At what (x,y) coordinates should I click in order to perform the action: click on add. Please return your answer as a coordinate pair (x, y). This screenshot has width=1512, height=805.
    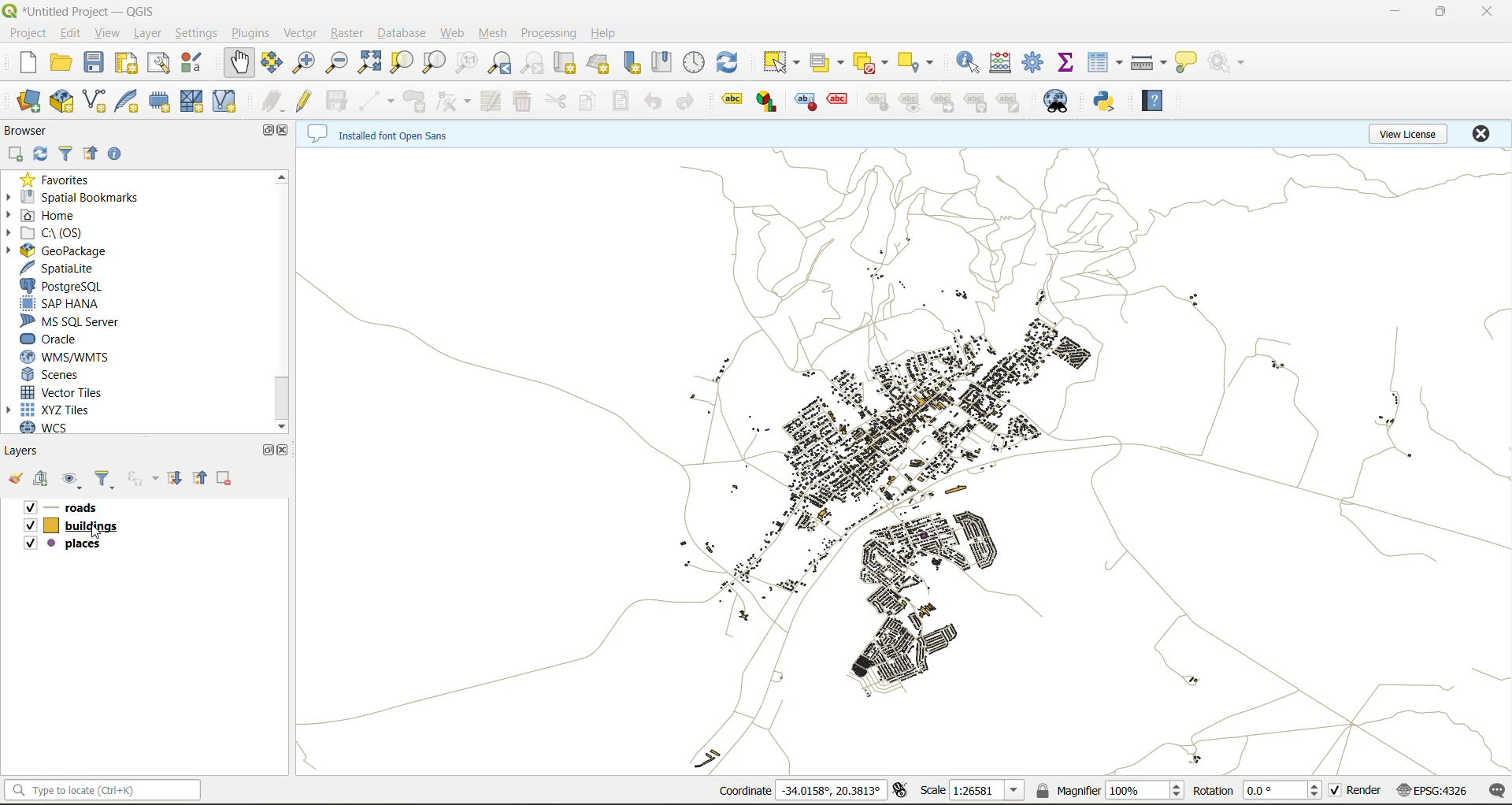
    Looking at the image, I should click on (43, 481).